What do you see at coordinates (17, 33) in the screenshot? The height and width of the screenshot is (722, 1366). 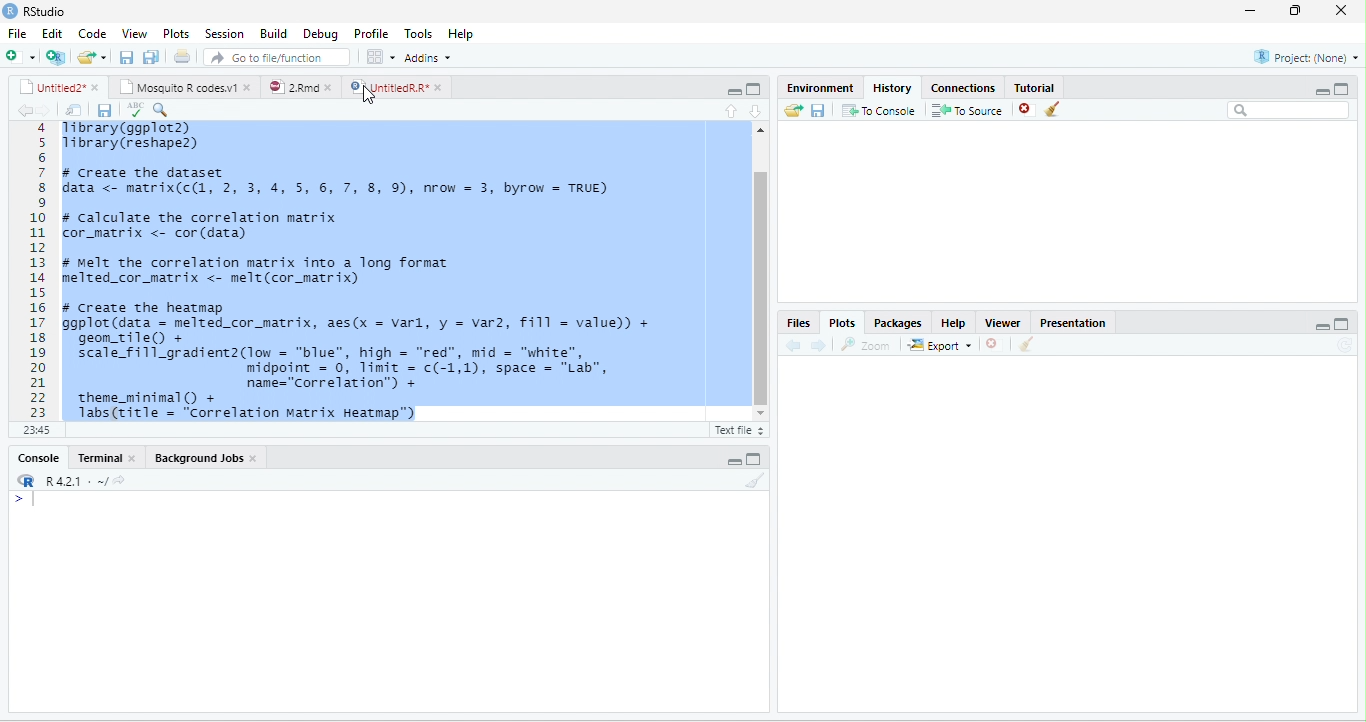 I see `file` at bounding box center [17, 33].